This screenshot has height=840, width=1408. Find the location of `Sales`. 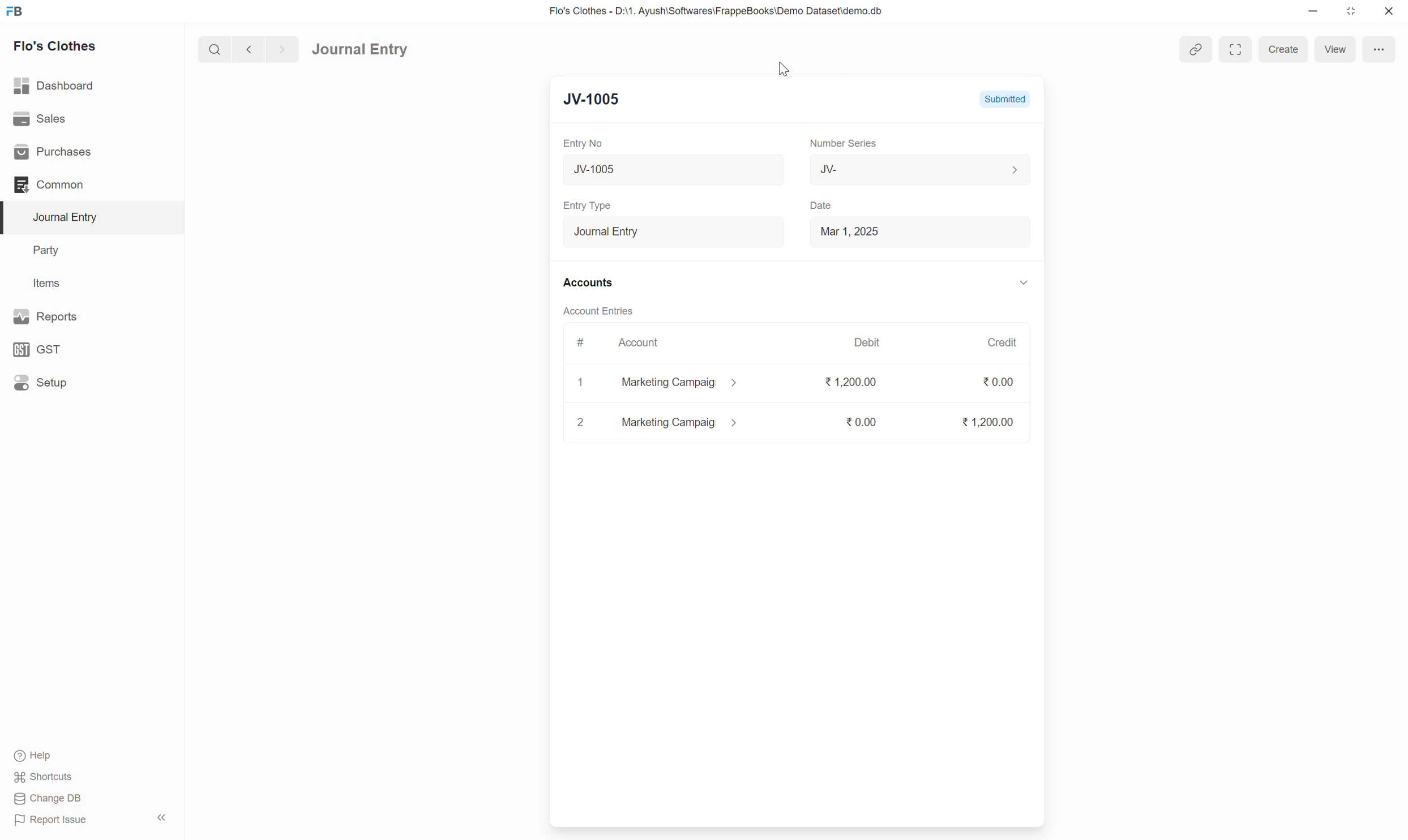

Sales is located at coordinates (39, 117).